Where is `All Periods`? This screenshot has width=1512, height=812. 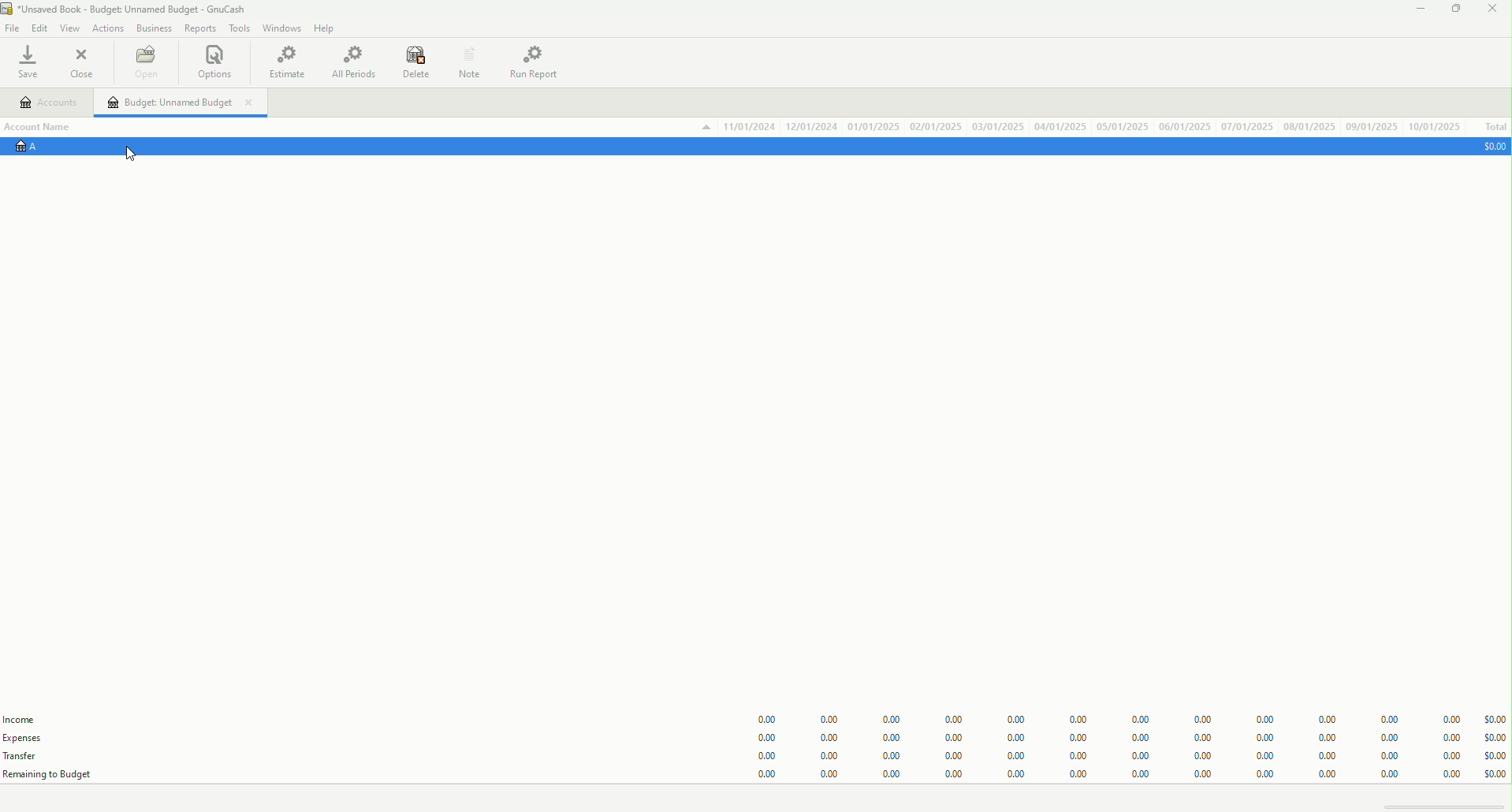 All Periods is located at coordinates (348, 63).